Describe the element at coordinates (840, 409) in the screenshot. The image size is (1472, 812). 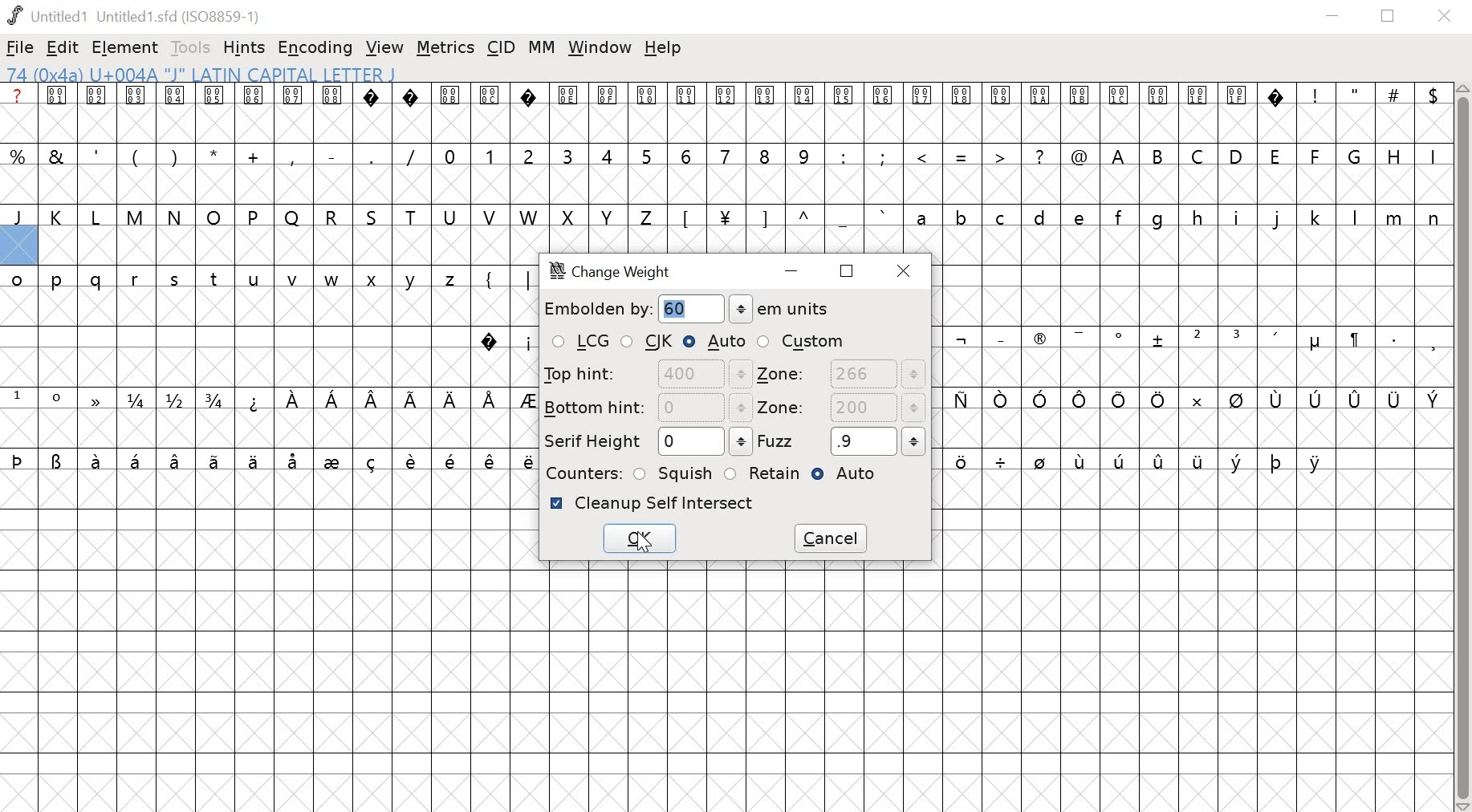
I see `ZONE` at that location.